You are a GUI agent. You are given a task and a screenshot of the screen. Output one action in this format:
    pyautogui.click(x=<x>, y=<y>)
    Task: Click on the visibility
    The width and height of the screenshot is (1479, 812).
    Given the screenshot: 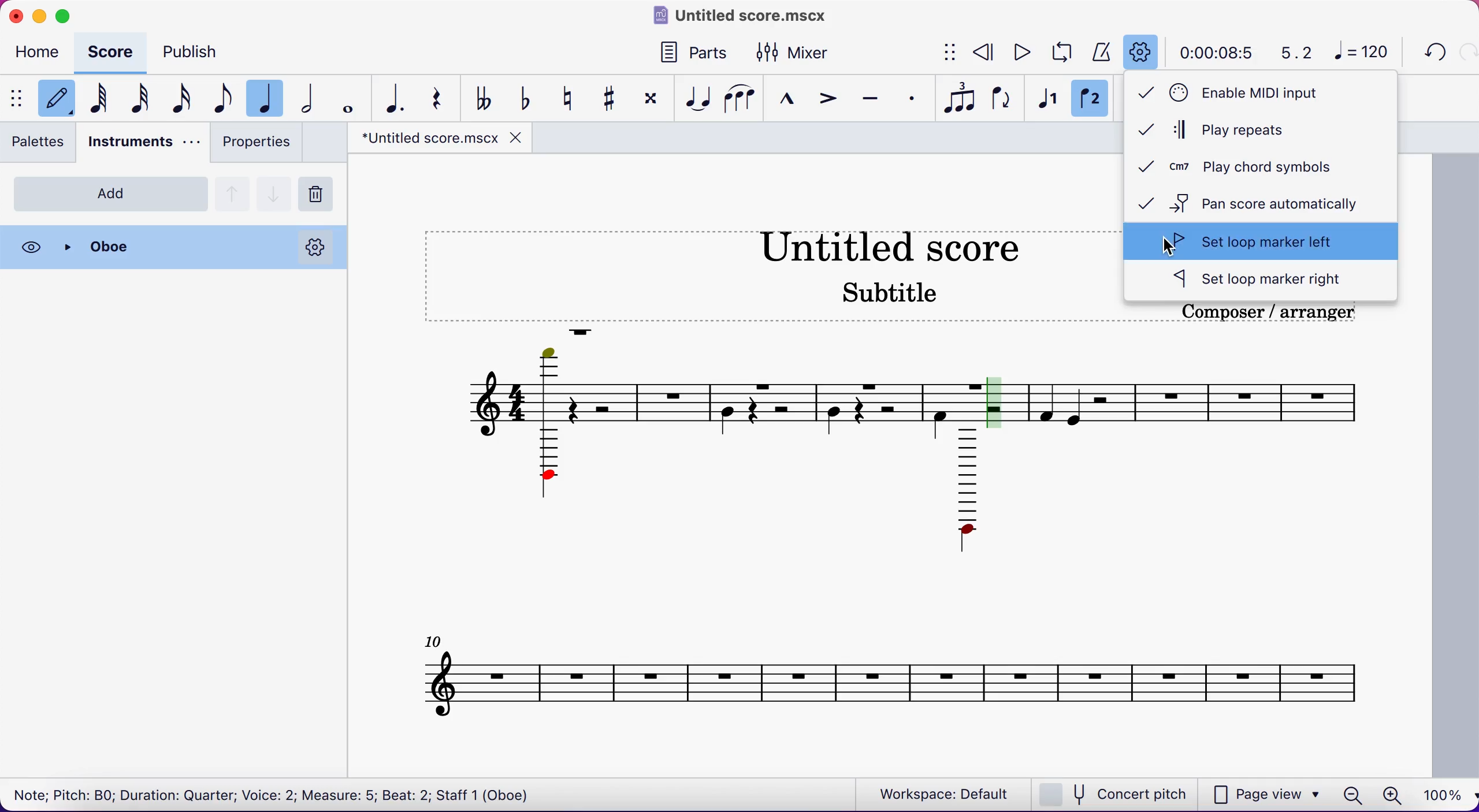 What is the action you would take?
    pyautogui.click(x=29, y=247)
    